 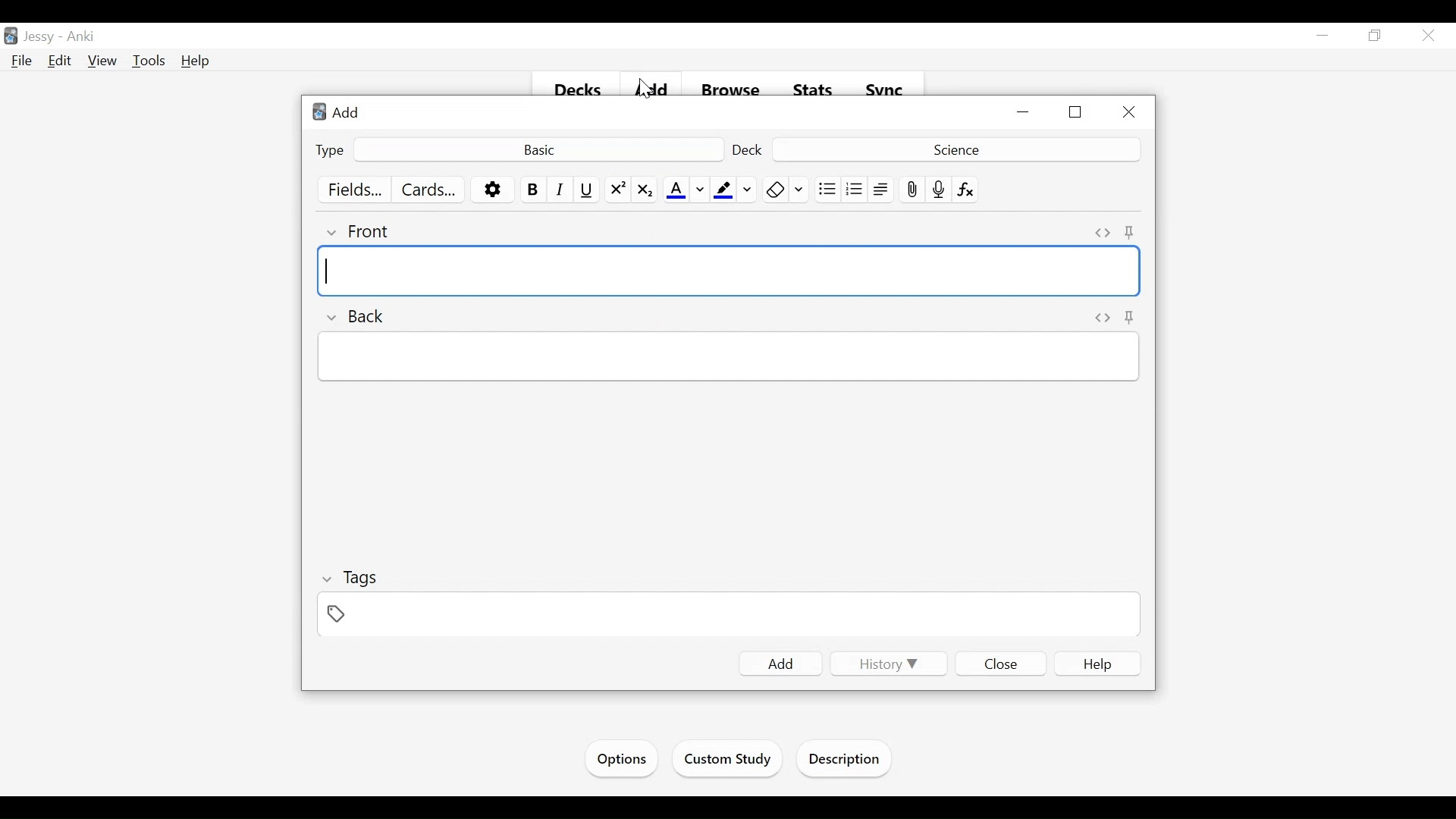 What do you see at coordinates (1373, 36) in the screenshot?
I see `Restore` at bounding box center [1373, 36].